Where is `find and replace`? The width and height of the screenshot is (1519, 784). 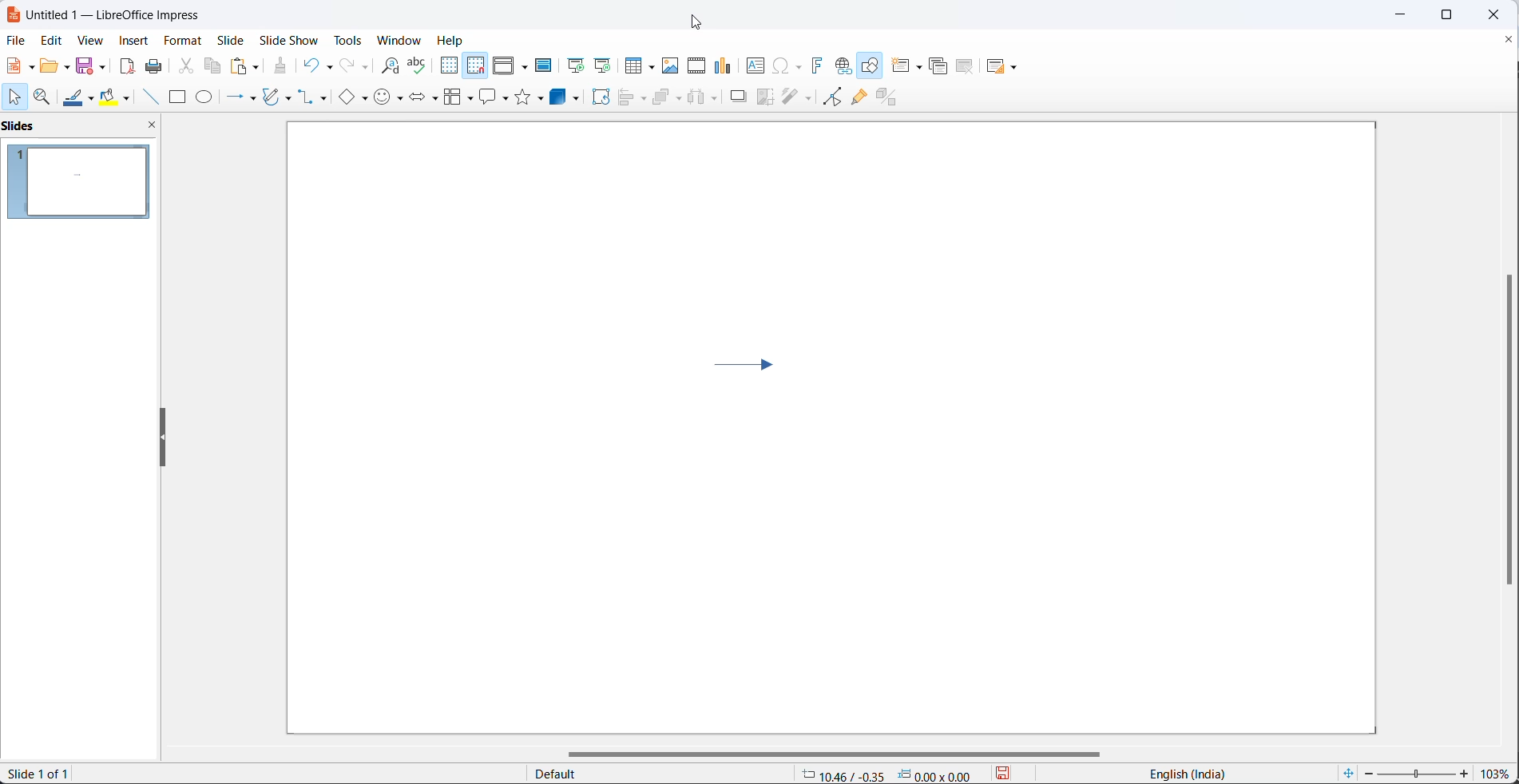
find and replace is located at coordinates (386, 65).